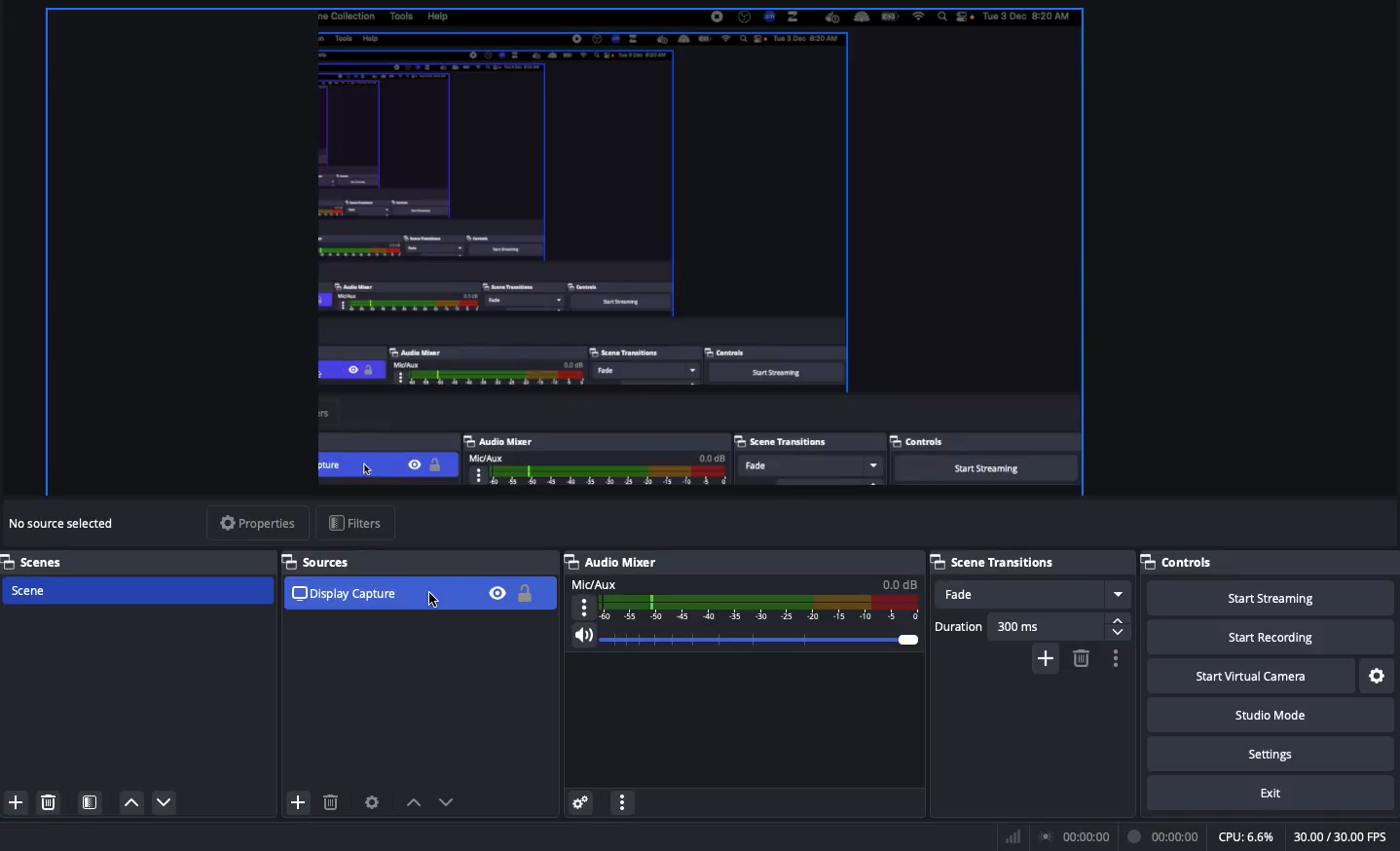 The image size is (1400, 851). What do you see at coordinates (1269, 640) in the screenshot?
I see `Start recording` at bounding box center [1269, 640].